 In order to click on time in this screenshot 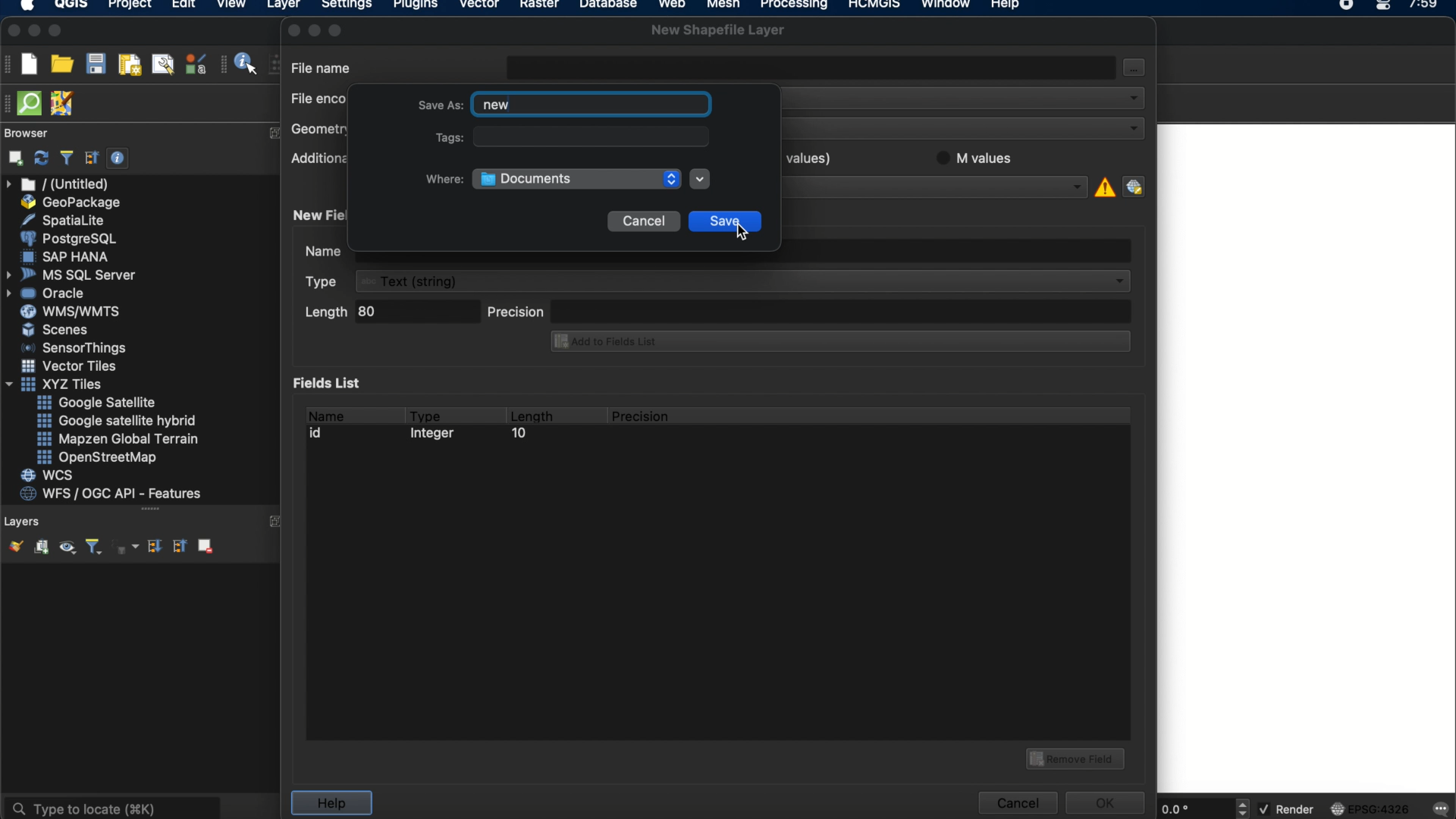, I will do `click(1425, 9)`.